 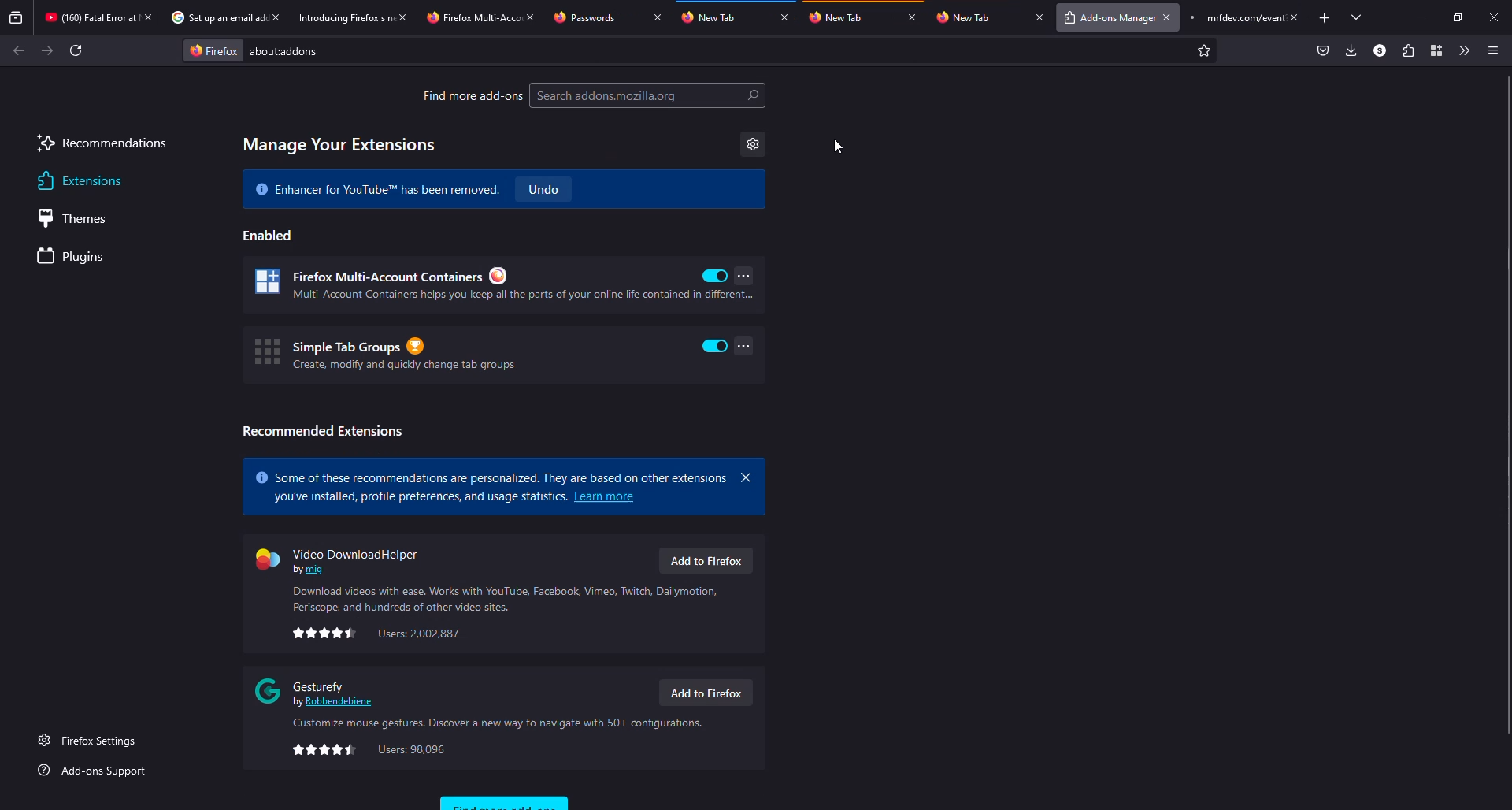 What do you see at coordinates (1422, 17) in the screenshot?
I see `minimize` at bounding box center [1422, 17].